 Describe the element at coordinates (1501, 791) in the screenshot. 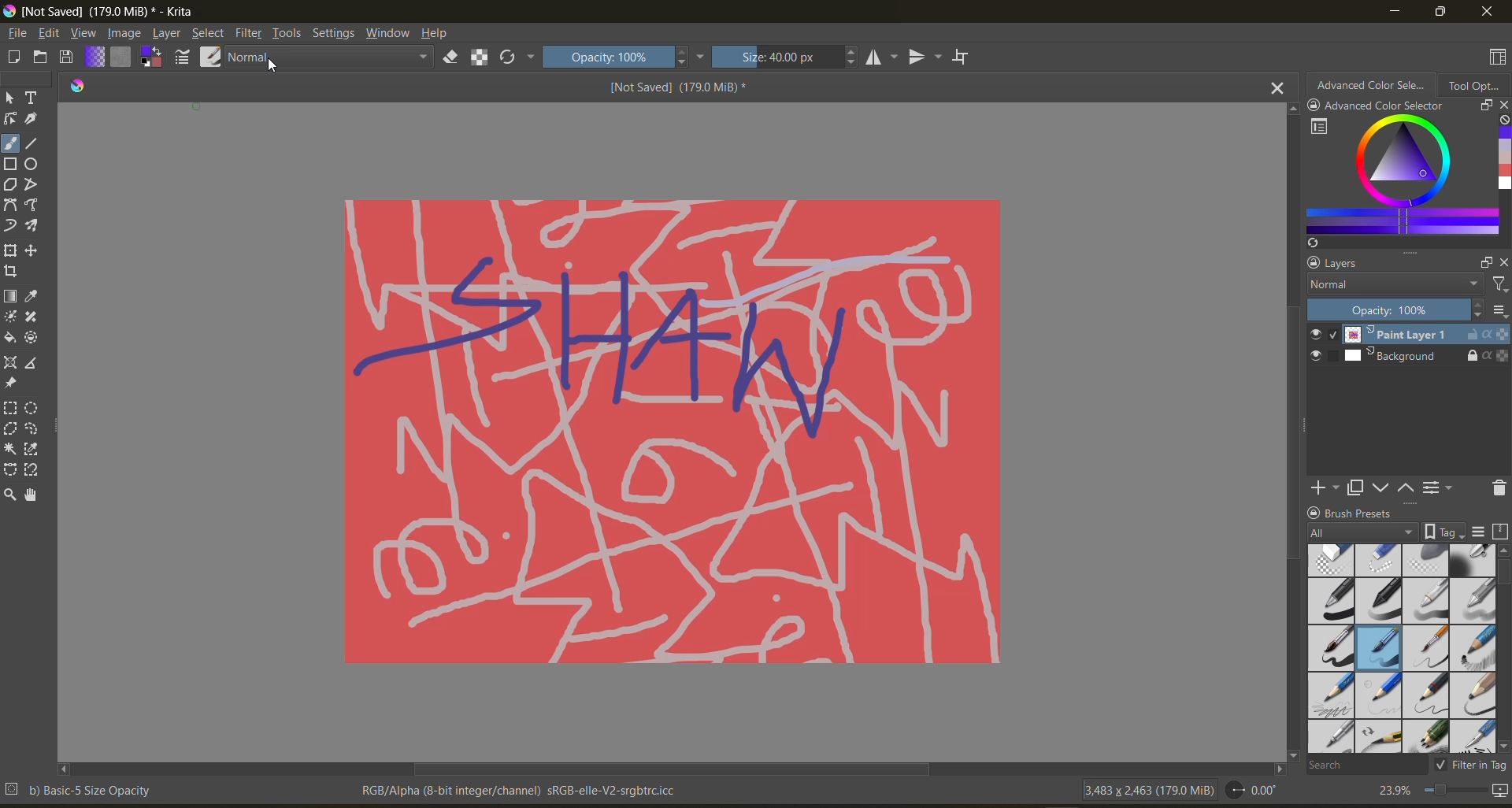

I see `map canvas` at that location.